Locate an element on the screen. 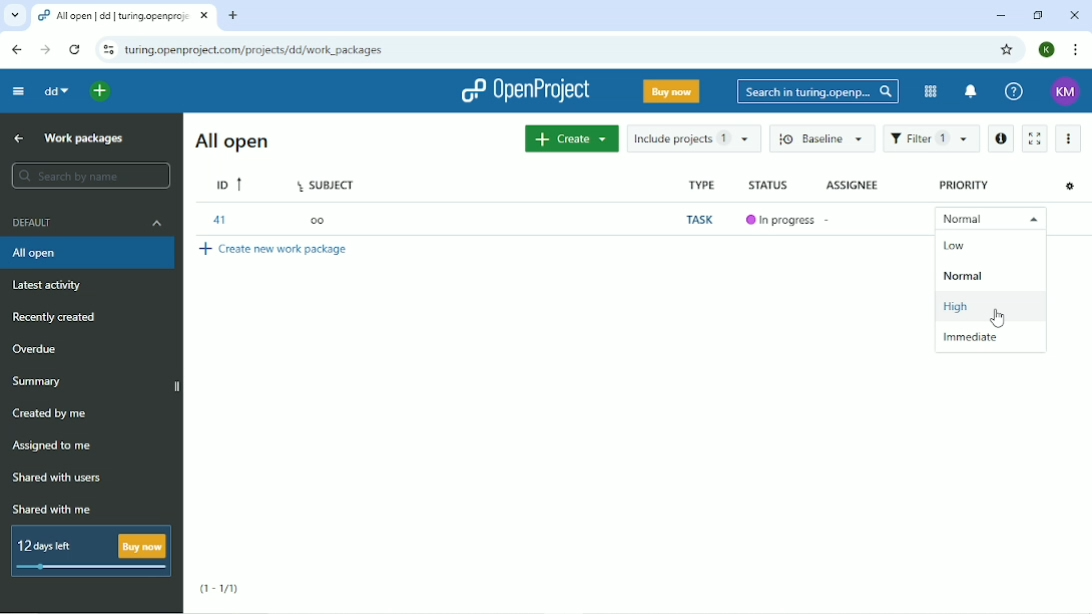 The width and height of the screenshot is (1092, 614). Up is located at coordinates (19, 138).